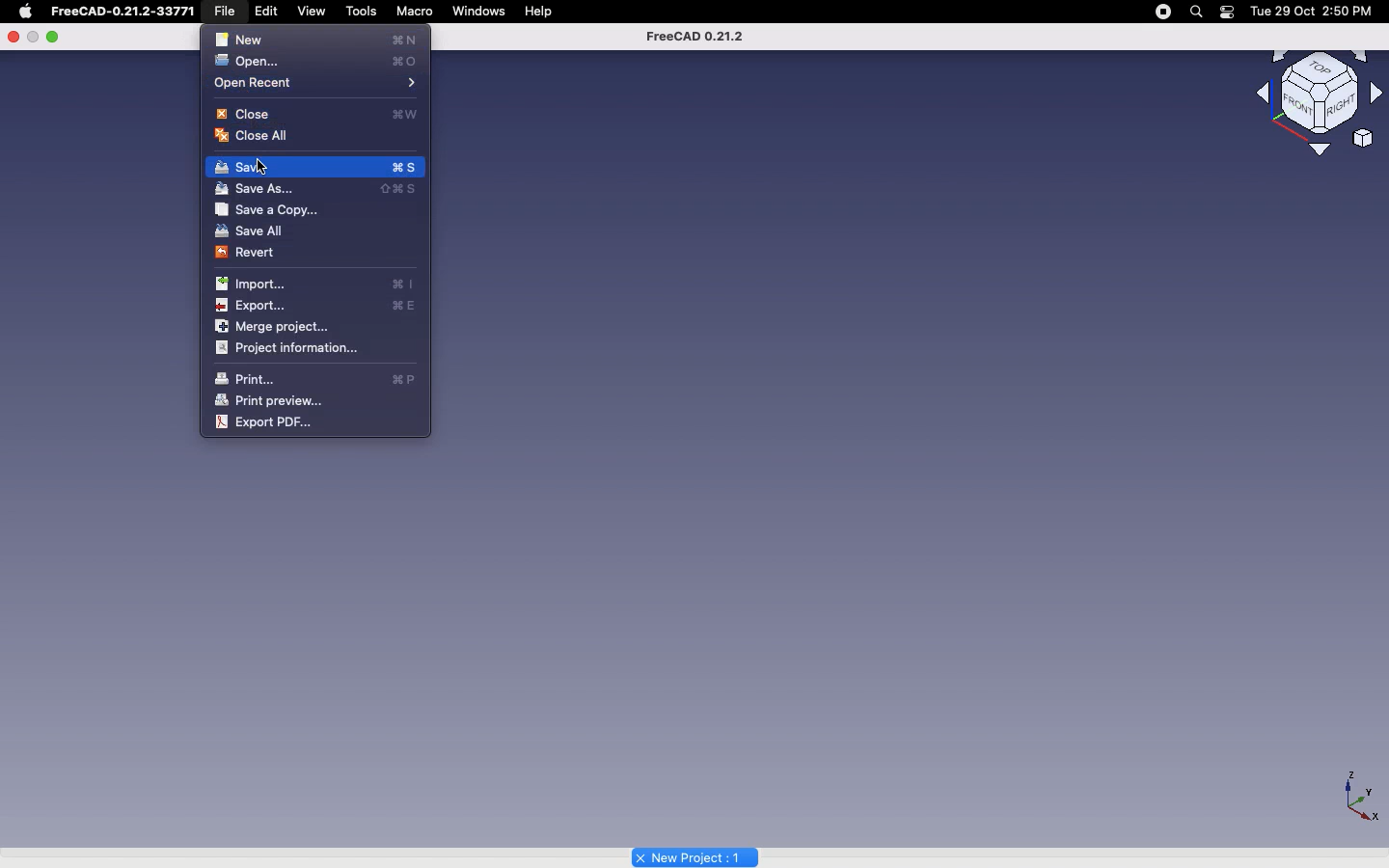 The image size is (1389, 868). What do you see at coordinates (1227, 13) in the screenshot?
I see `Notification` at bounding box center [1227, 13].